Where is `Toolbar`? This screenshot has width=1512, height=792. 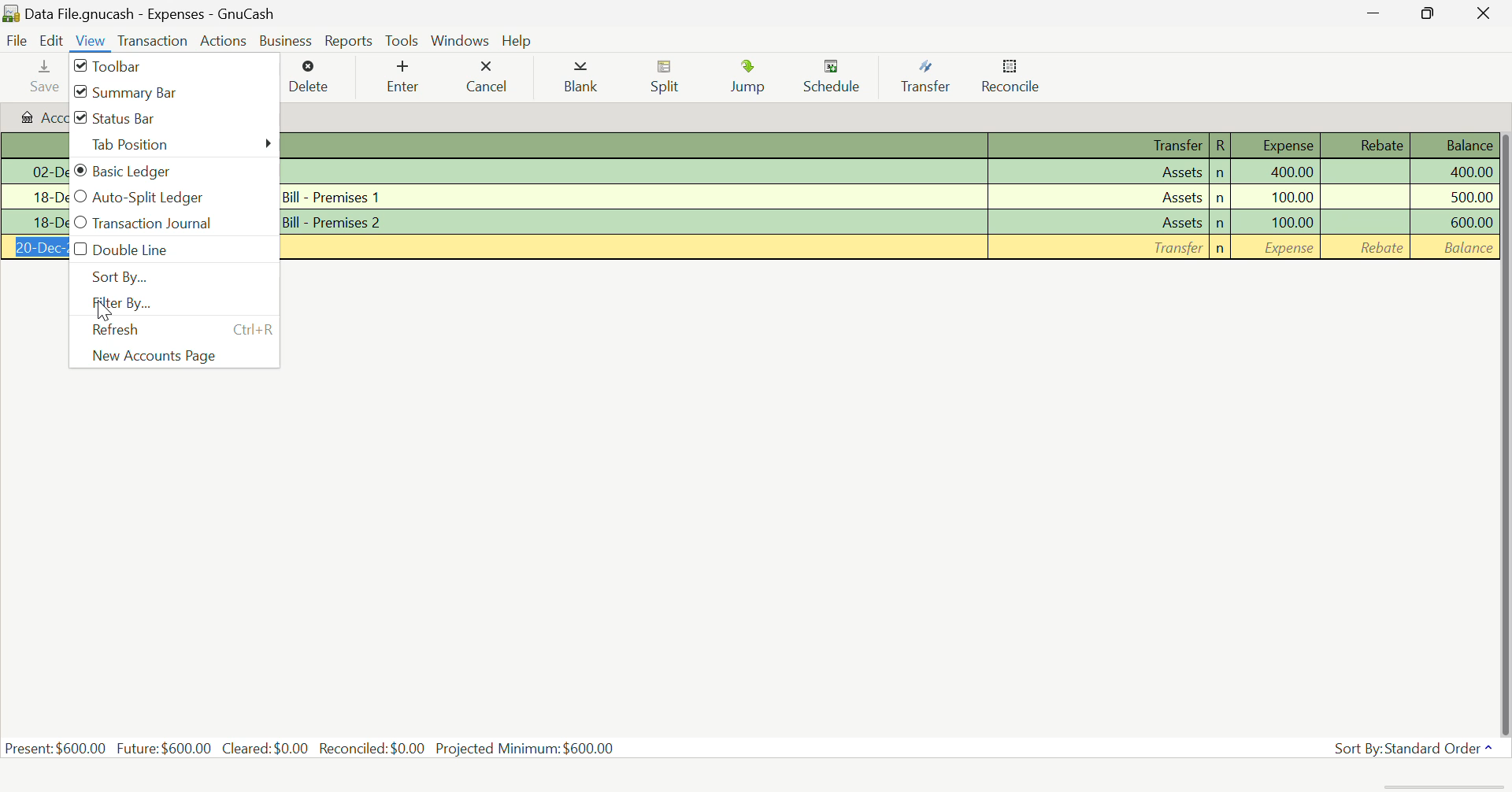
Toolbar is located at coordinates (173, 65).